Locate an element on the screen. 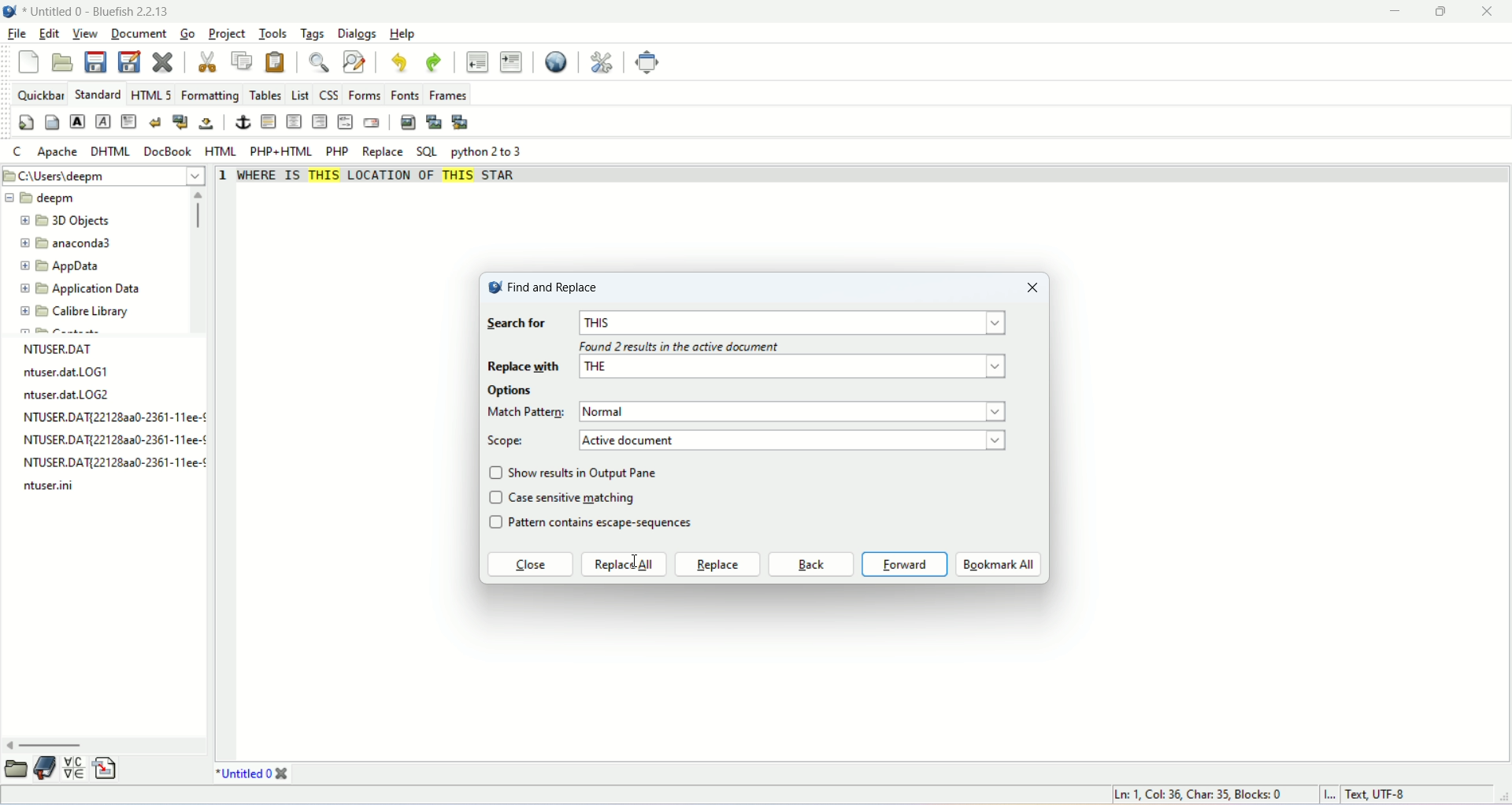 This screenshot has width=1512, height=805. tags is located at coordinates (310, 34).